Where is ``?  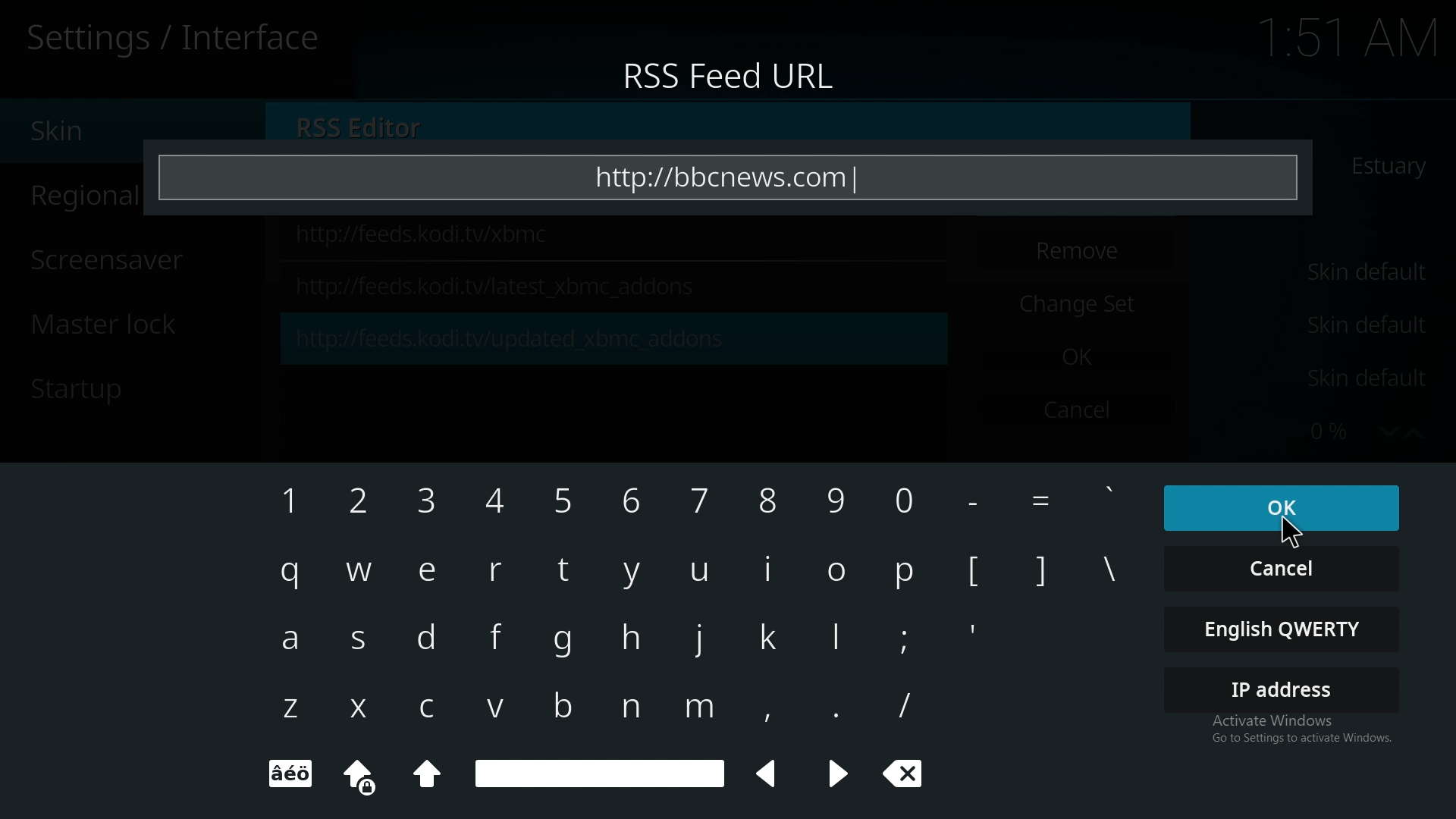  is located at coordinates (1050, 502).